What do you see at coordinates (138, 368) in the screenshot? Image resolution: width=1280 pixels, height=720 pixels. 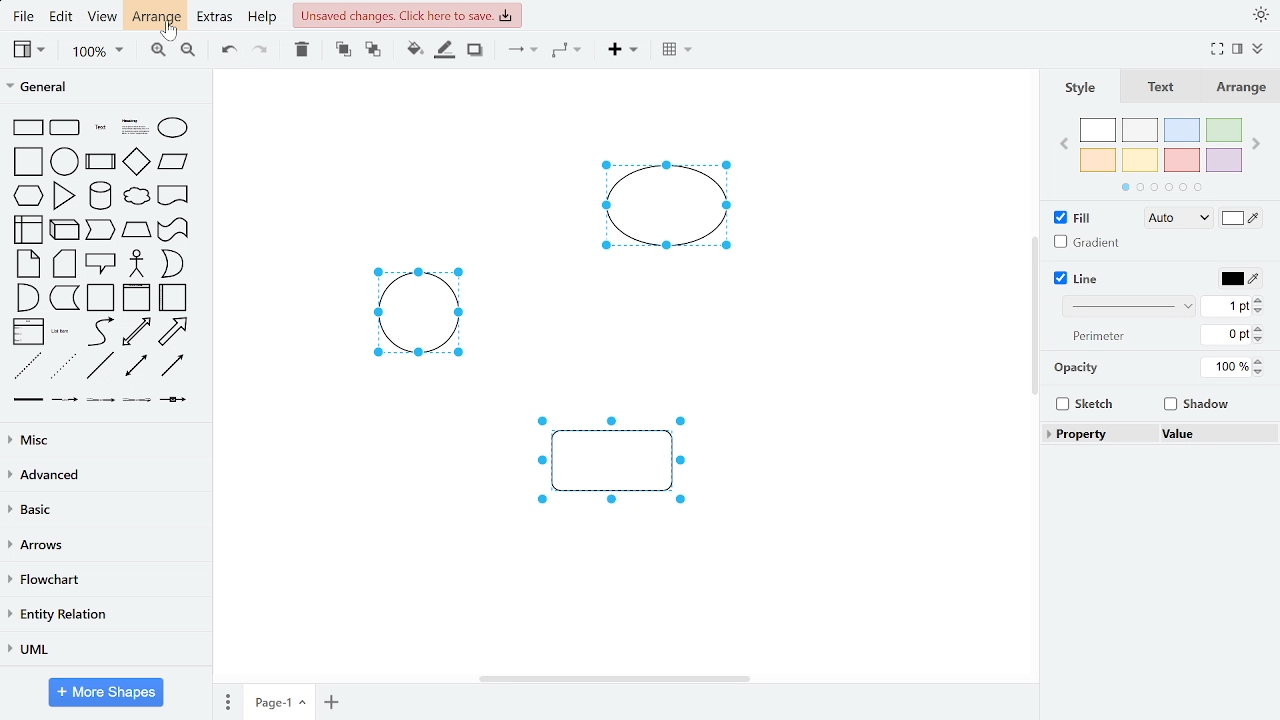 I see `bidirectional connector` at bounding box center [138, 368].